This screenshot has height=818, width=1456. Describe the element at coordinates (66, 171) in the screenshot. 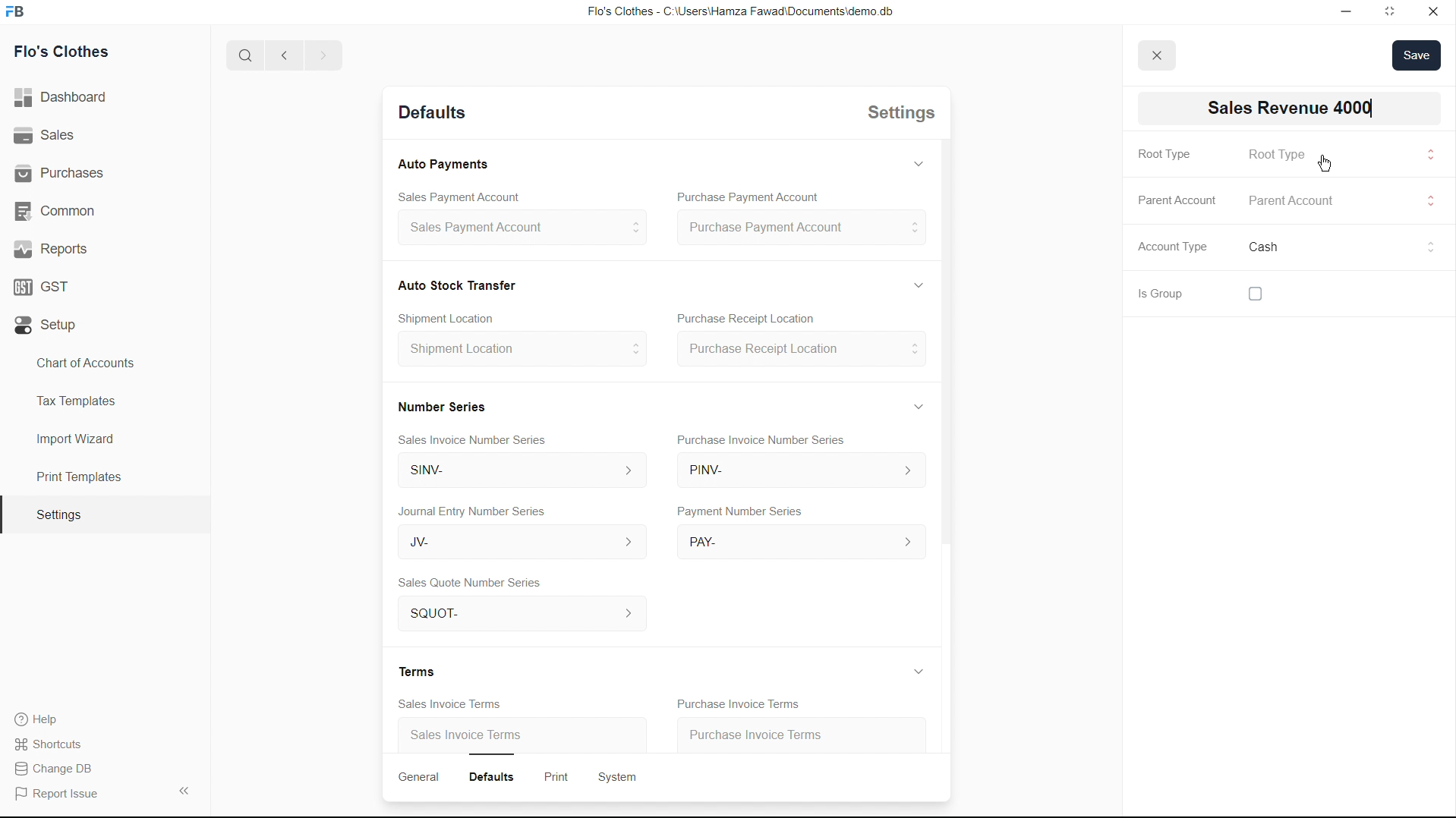

I see `| Purchases` at that location.